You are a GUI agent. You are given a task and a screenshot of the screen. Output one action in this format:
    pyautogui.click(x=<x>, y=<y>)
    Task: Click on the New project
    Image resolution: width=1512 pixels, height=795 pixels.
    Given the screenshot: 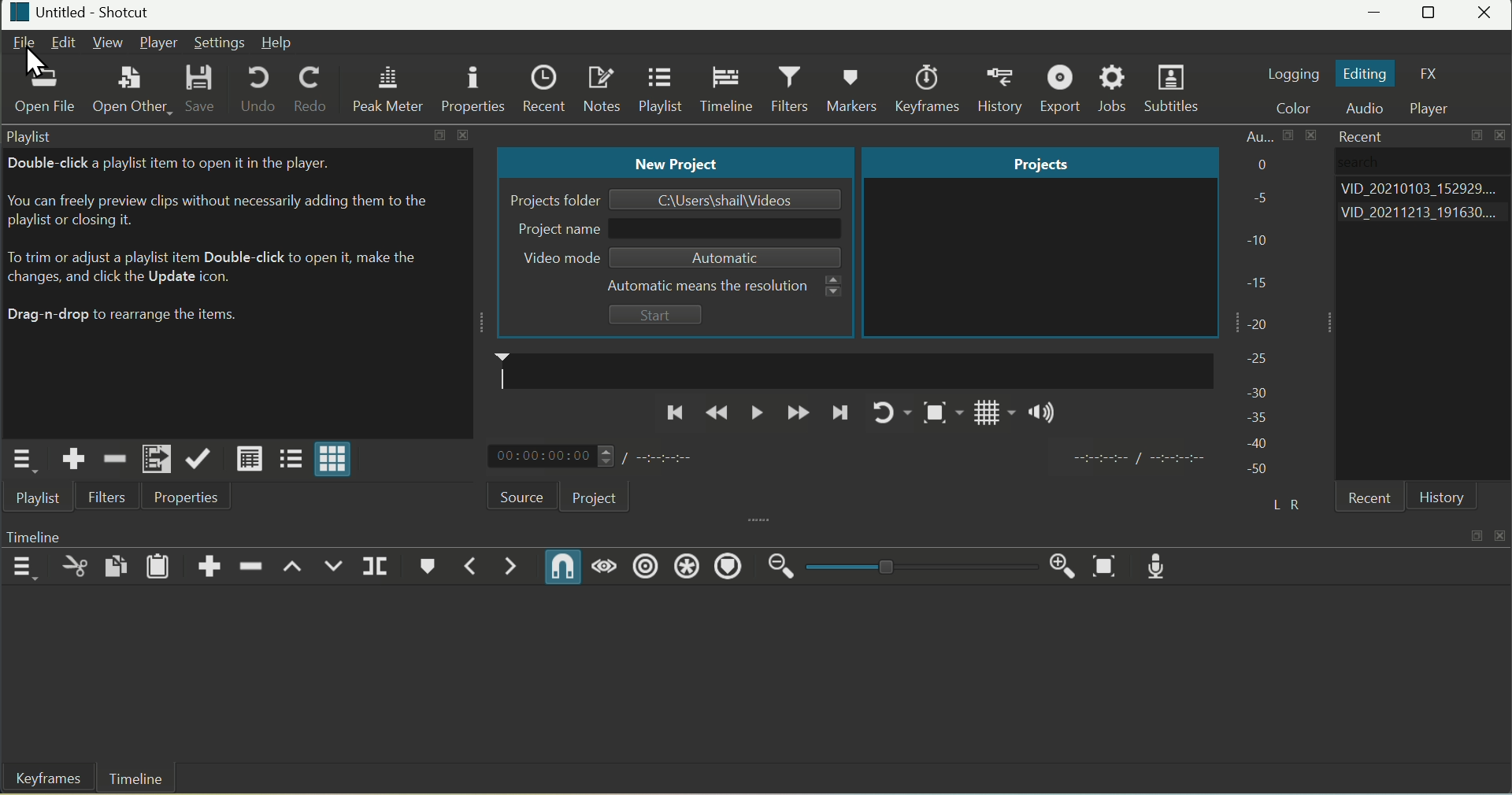 What is the action you would take?
    pyautogui.click(x=678, y=163)
    